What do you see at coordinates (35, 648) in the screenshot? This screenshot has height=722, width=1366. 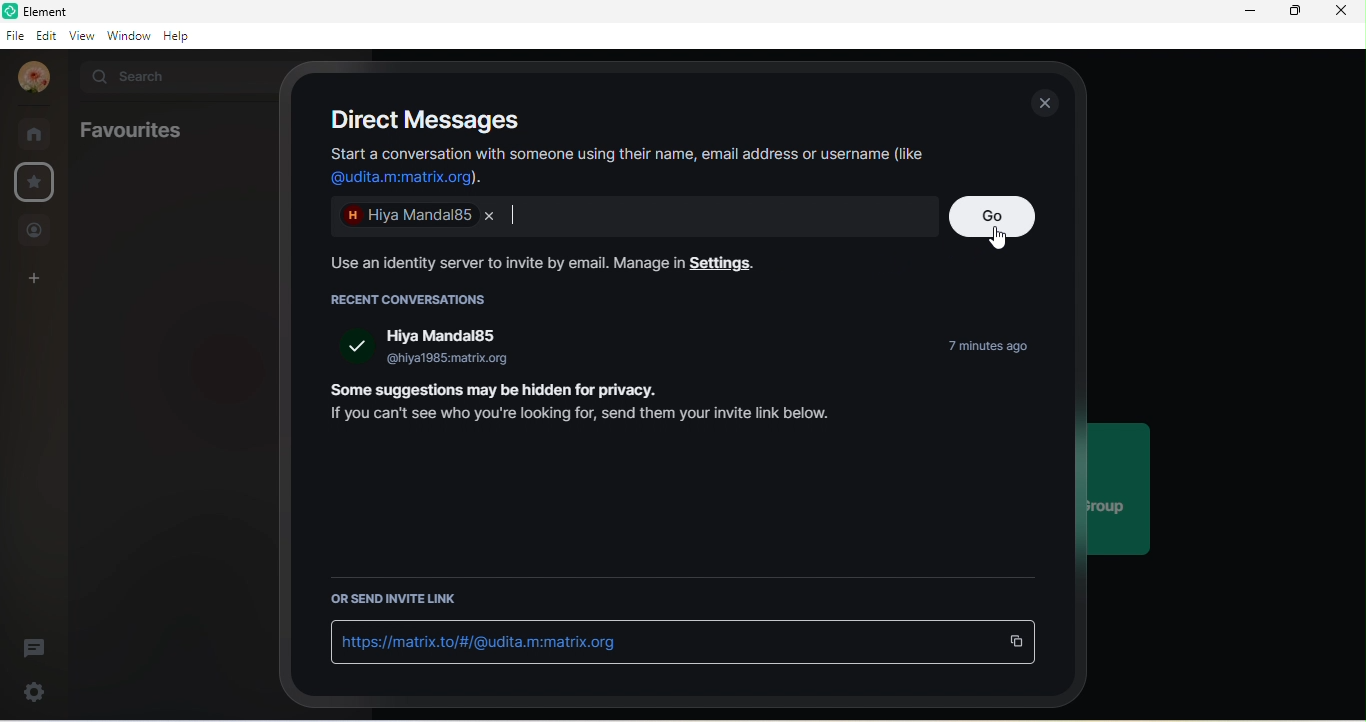 I see `thread` at bounding box center [35, 648].